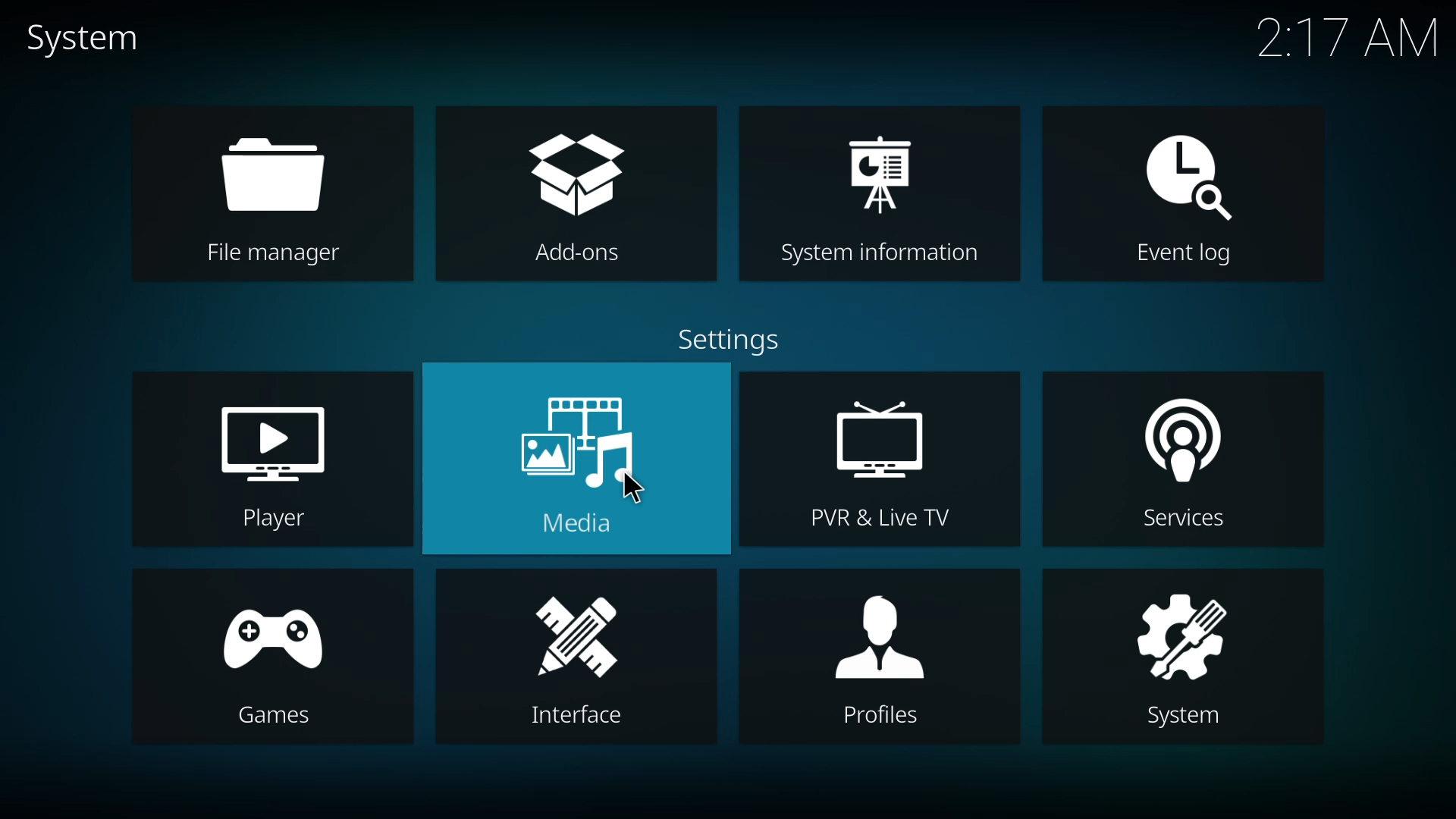 This screenshot has height=819, width=1456. I want to click on time, so click(1349, 37).